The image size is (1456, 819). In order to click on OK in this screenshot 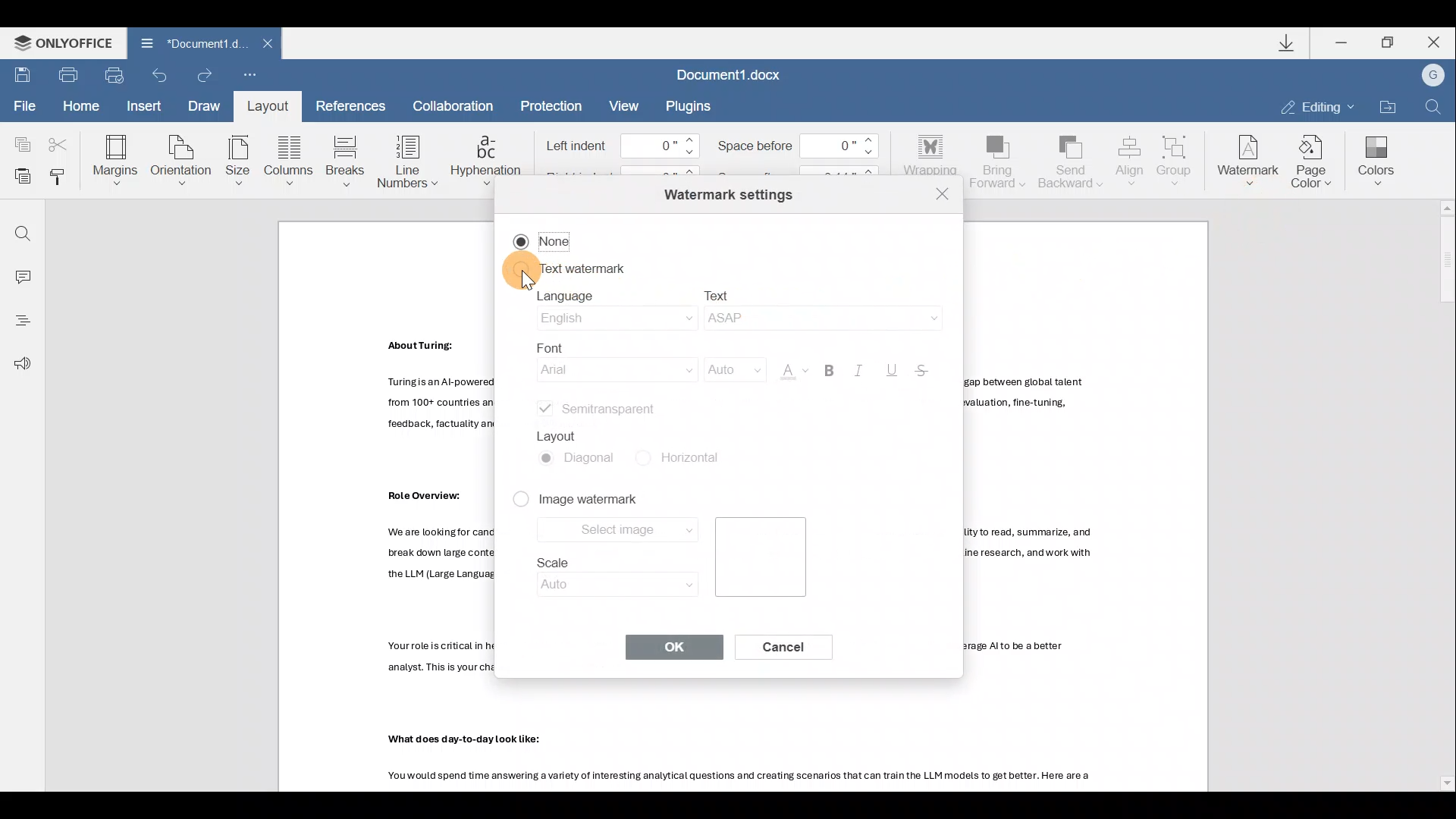, I will do `click(673, 647)`.